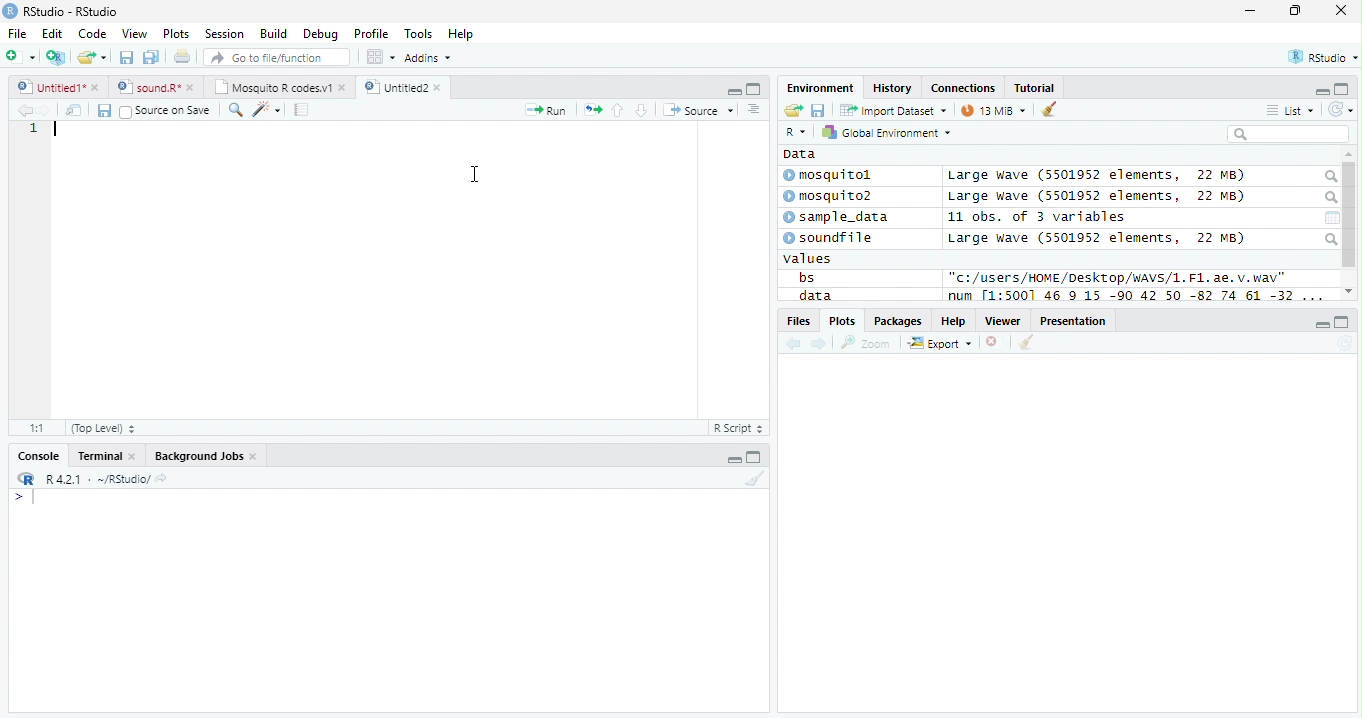 The height and width of the screenshot is (718, 1362). What do you see at coordinates (798, 132) in the screenshot?
I see `R` at bounding box center [798, 132].